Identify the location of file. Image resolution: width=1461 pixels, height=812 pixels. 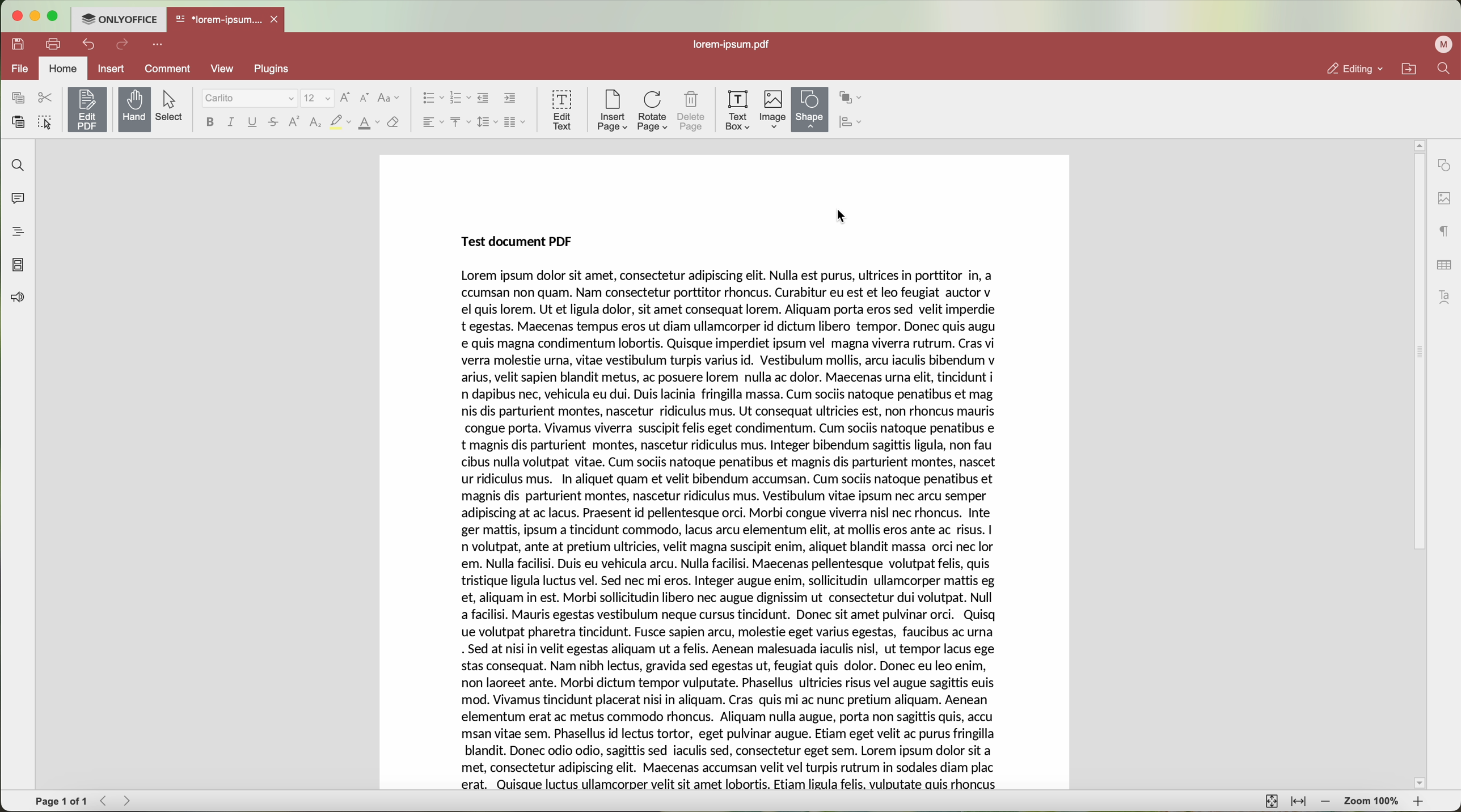
(19, 68).